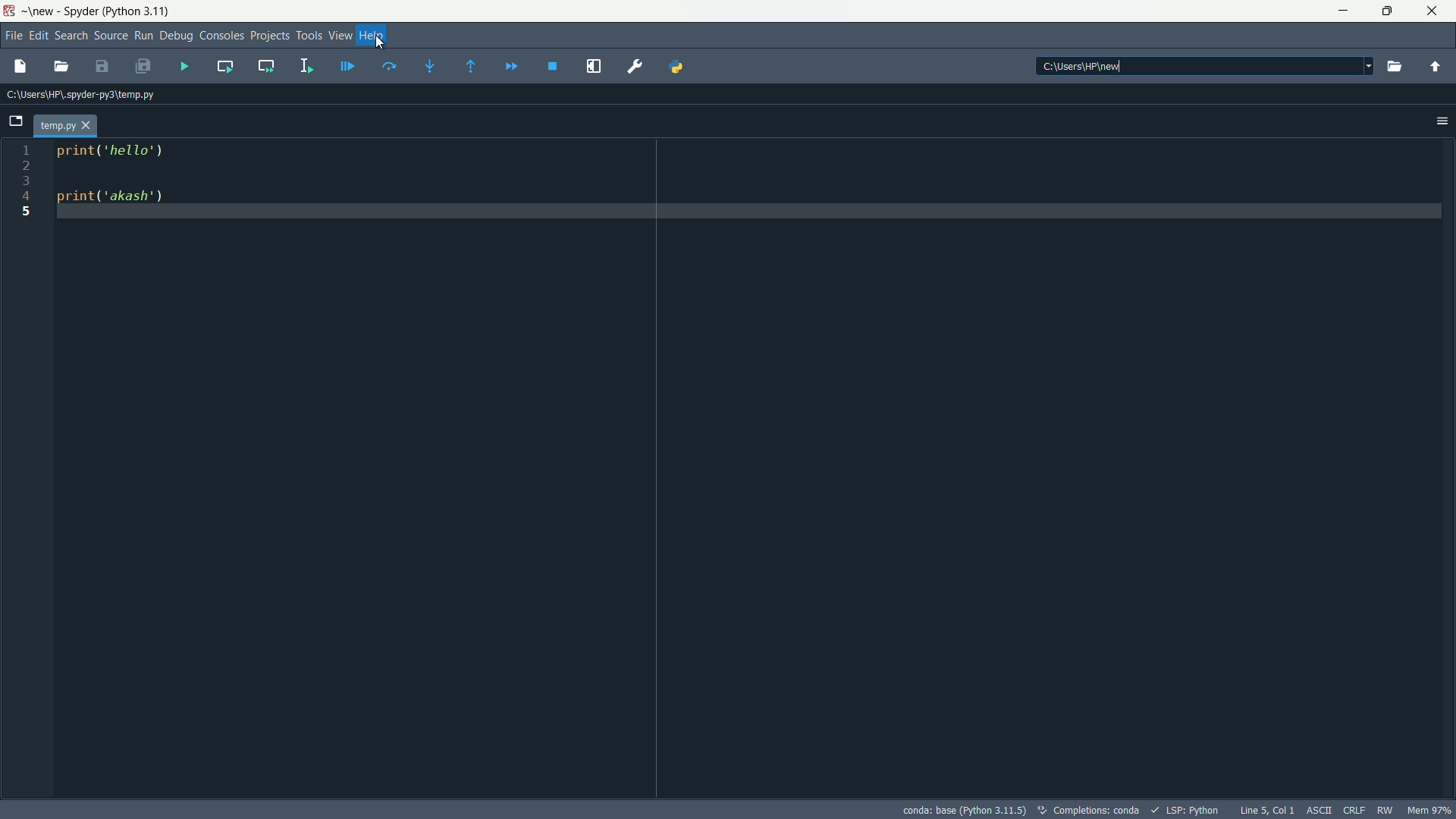 This screenshot has height=819, width=1456. I want to click on file menu, so click(15, 34).